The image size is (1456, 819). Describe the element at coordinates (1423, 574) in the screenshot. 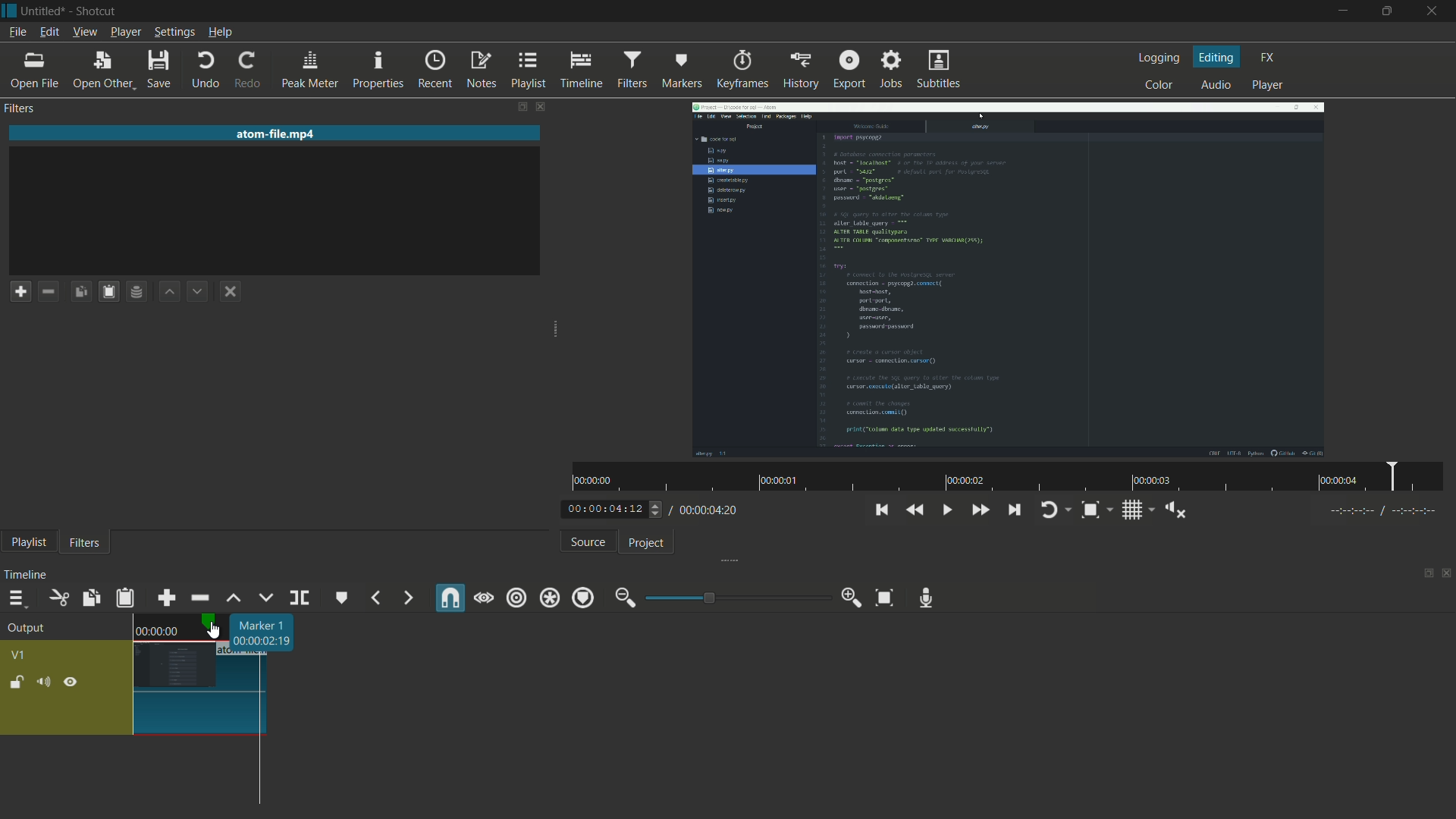

I see `change layout` at that location.